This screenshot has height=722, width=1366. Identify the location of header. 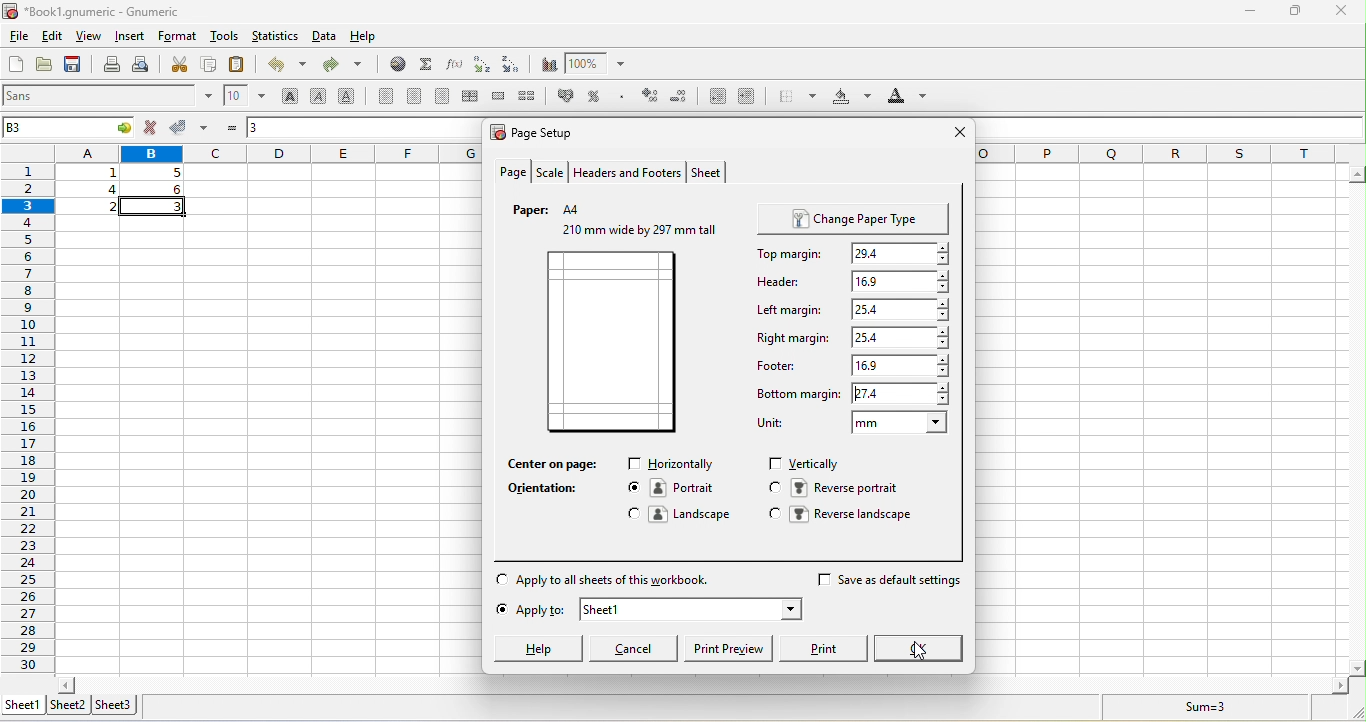
(782, 280).